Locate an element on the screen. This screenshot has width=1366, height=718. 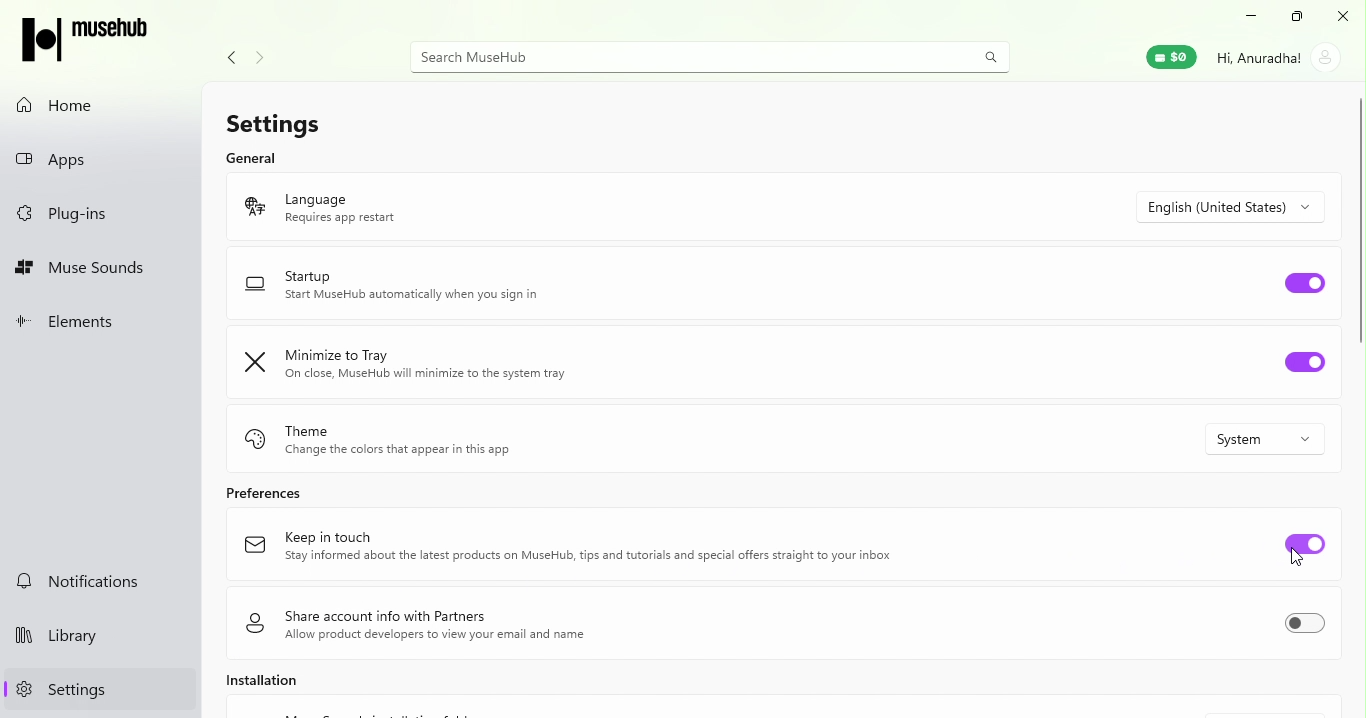
Toggle is located at coordinates (1307, 628).